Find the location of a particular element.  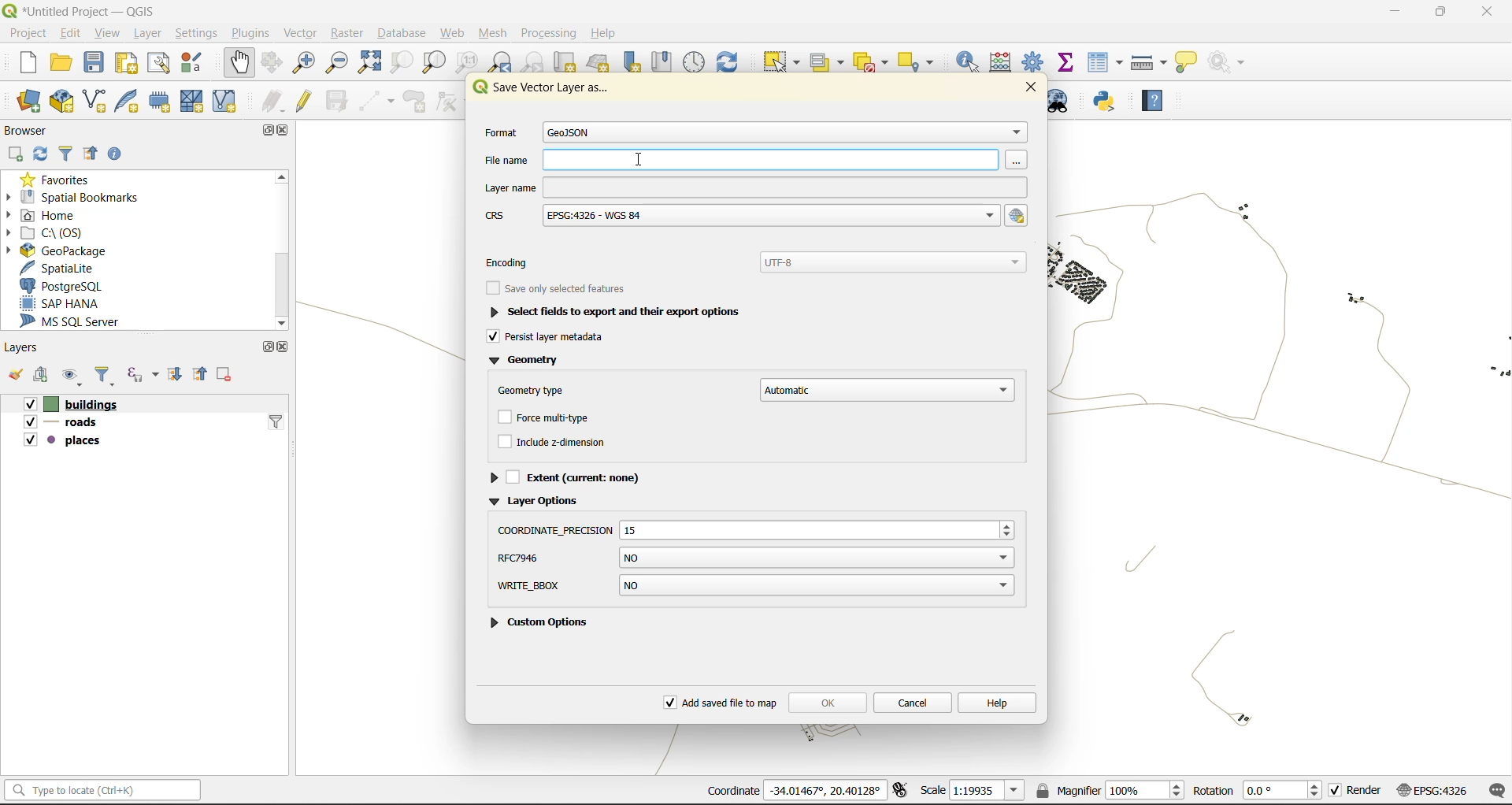

buildings is located at coordinates (66, 403).